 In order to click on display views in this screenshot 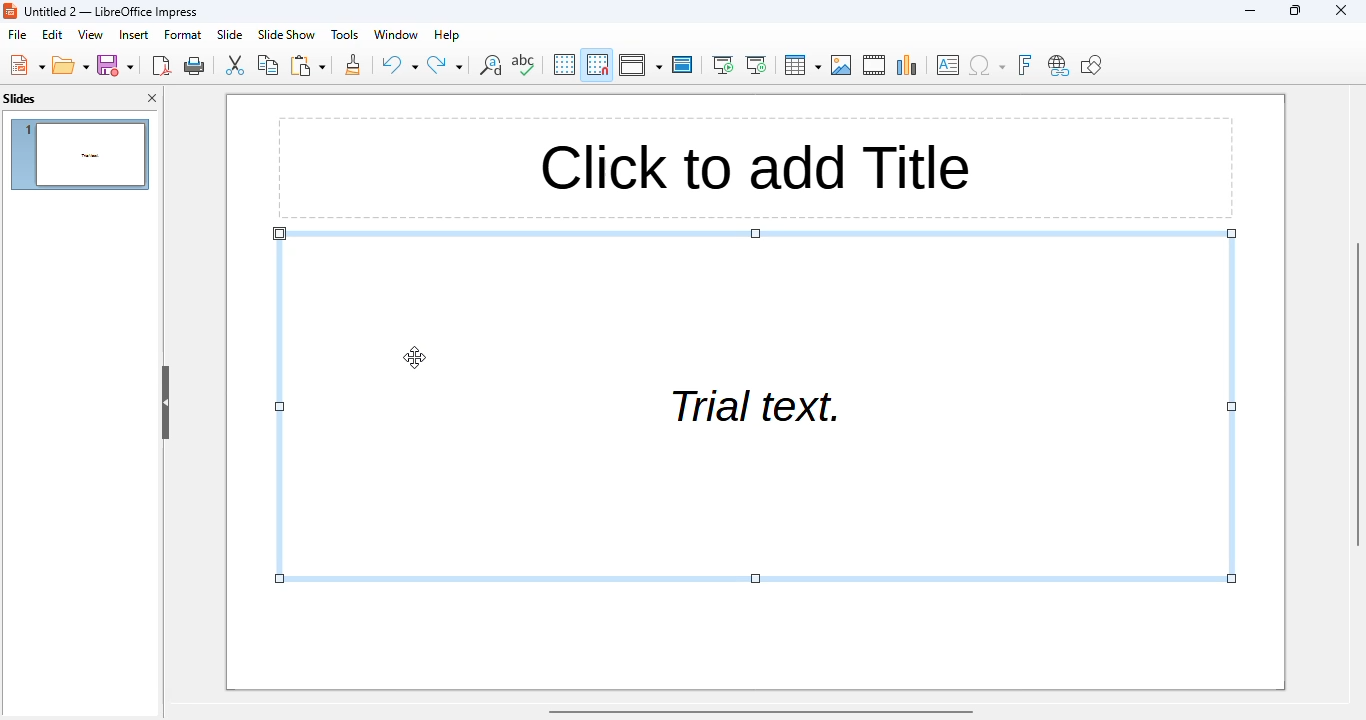, I will do `click(641, 65)`.